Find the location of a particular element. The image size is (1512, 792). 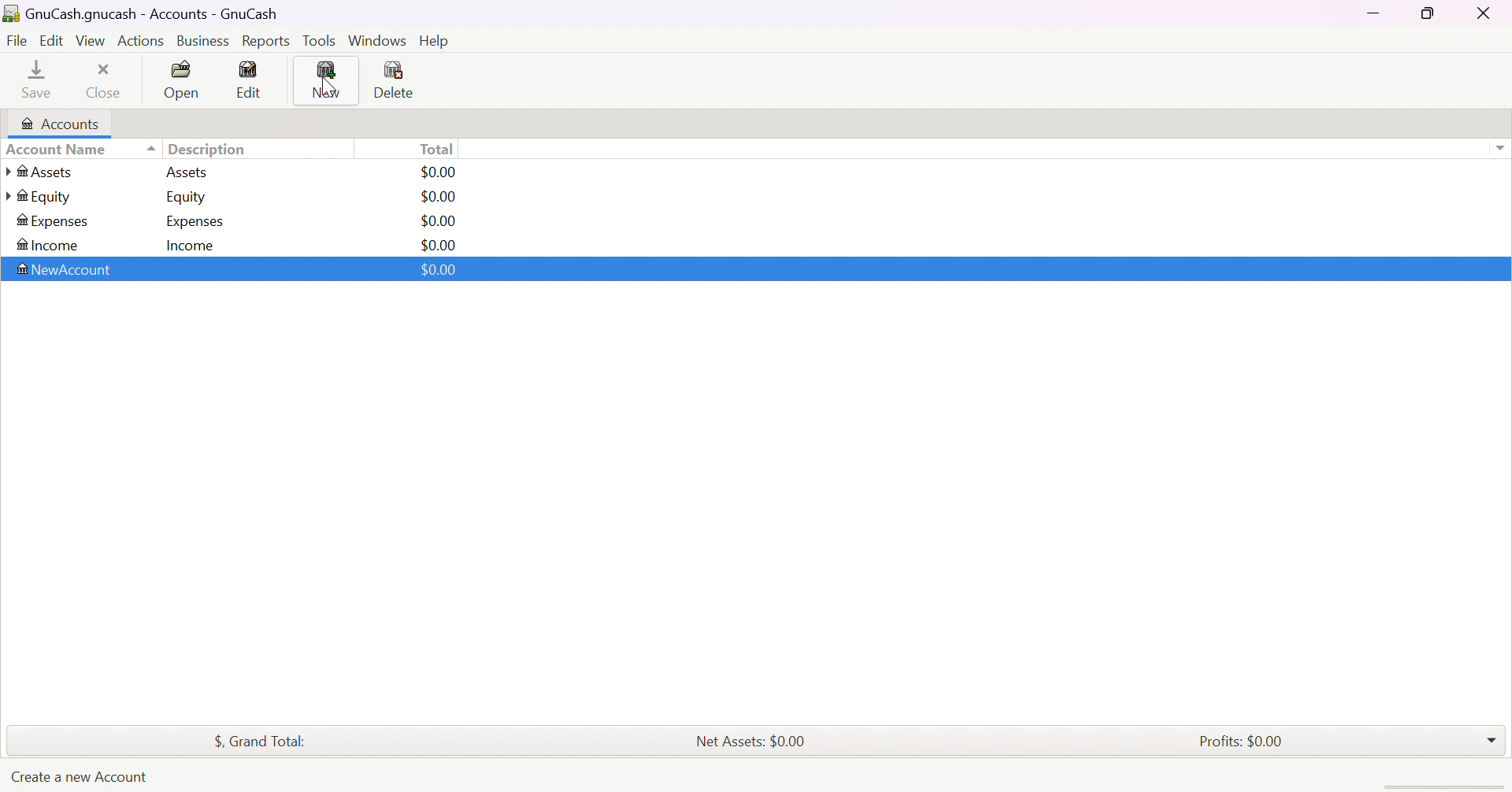

Drop Down is located at coordinates (1494, 741).